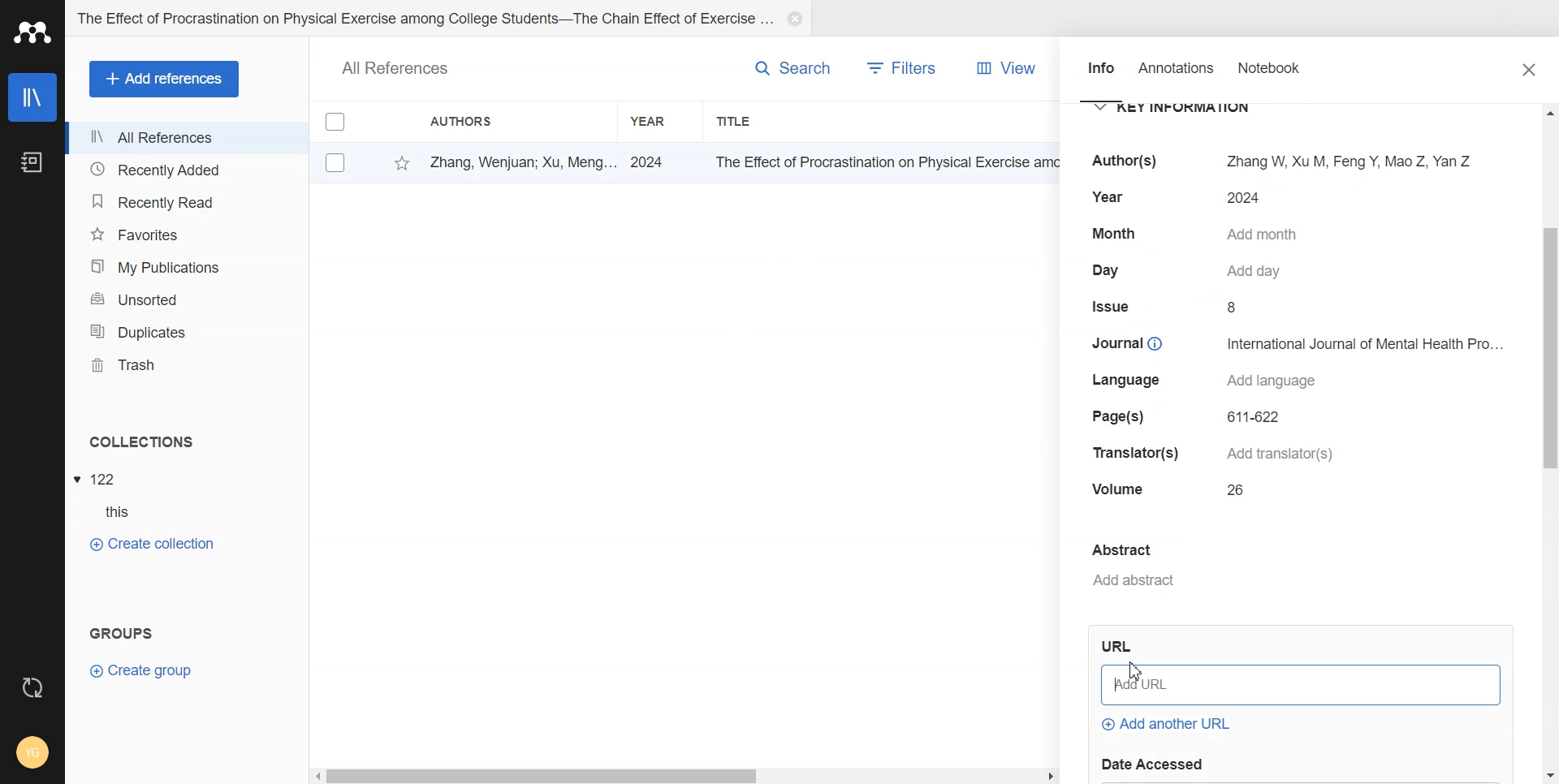  I want to click on Logo, so click(34, 33).